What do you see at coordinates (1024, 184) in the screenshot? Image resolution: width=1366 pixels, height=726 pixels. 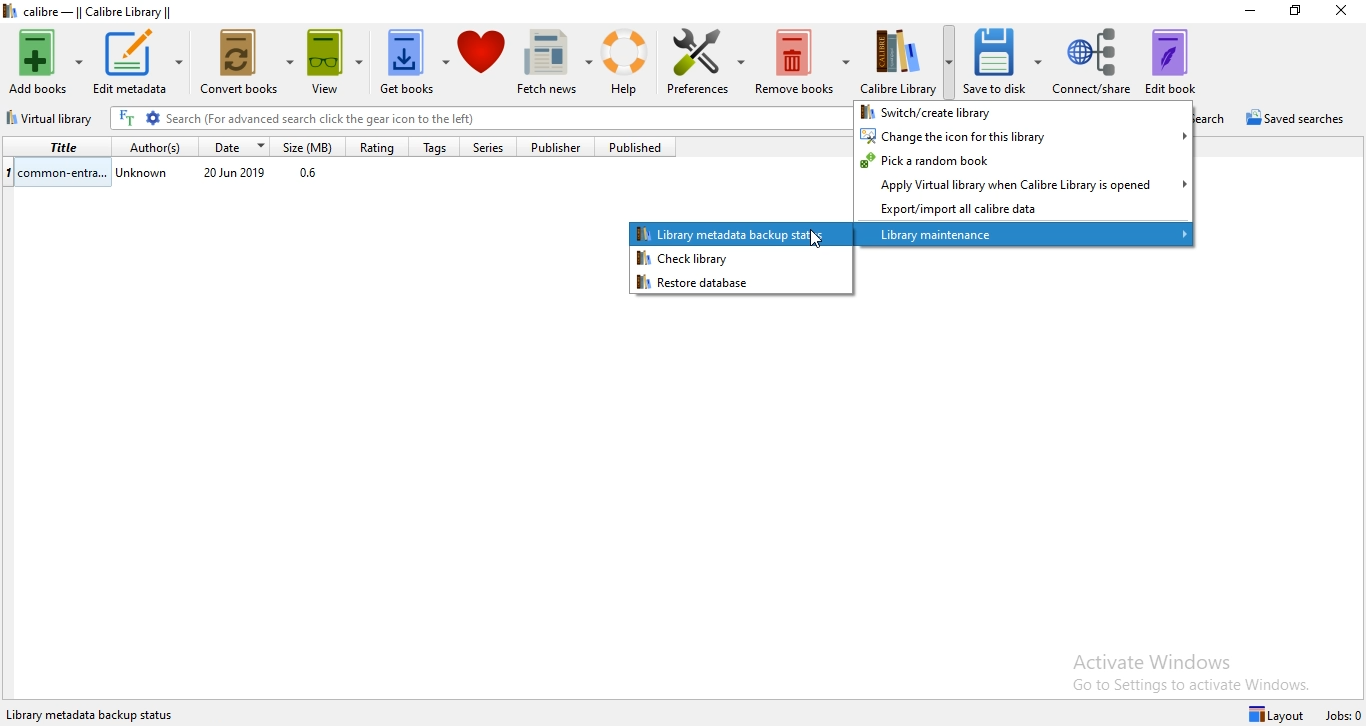 I see `apply virtual library when calibre library is opened` at bounding box center [1024, 184].